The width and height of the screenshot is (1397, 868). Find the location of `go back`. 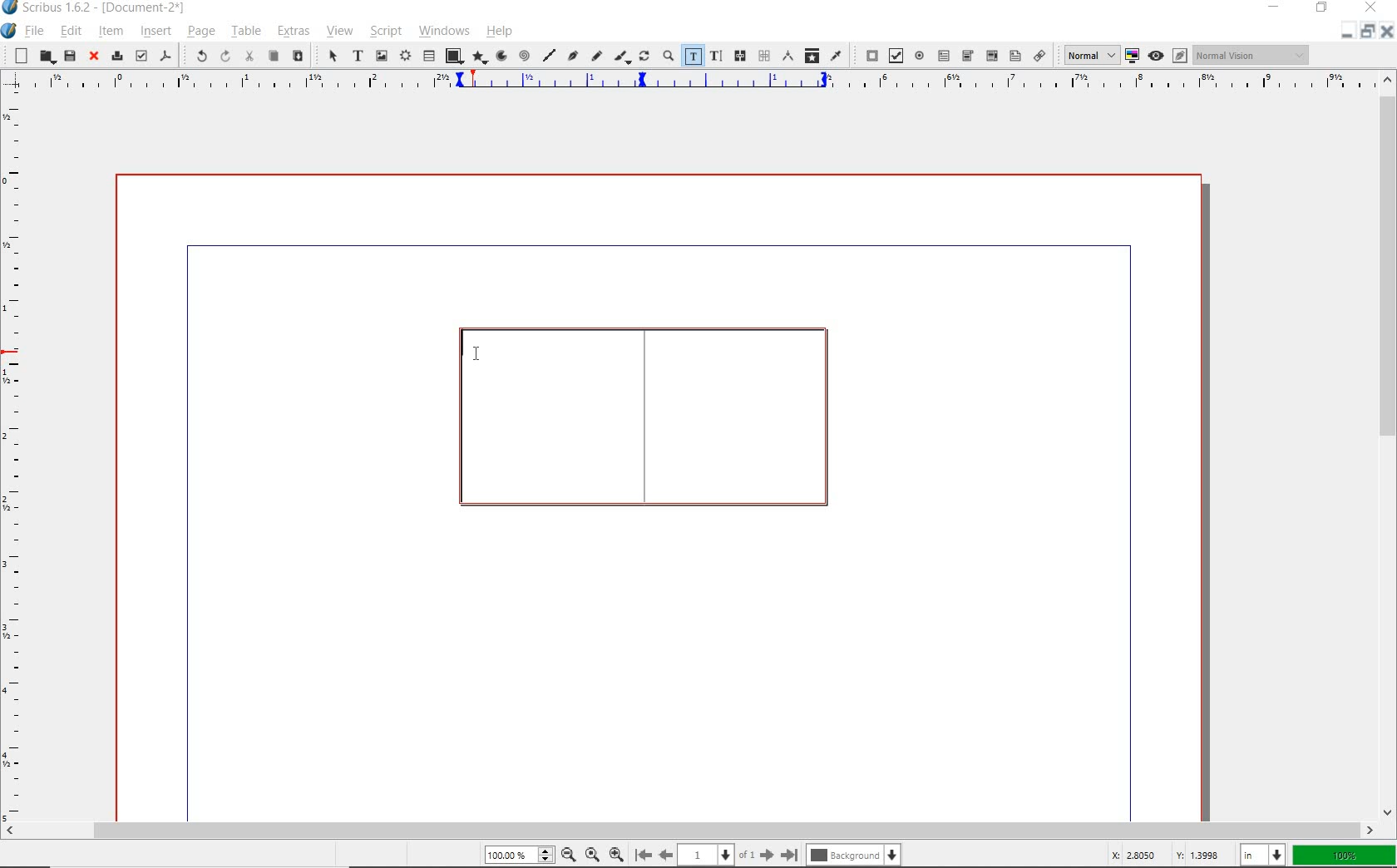

go back is located at coordinates (666, 854).